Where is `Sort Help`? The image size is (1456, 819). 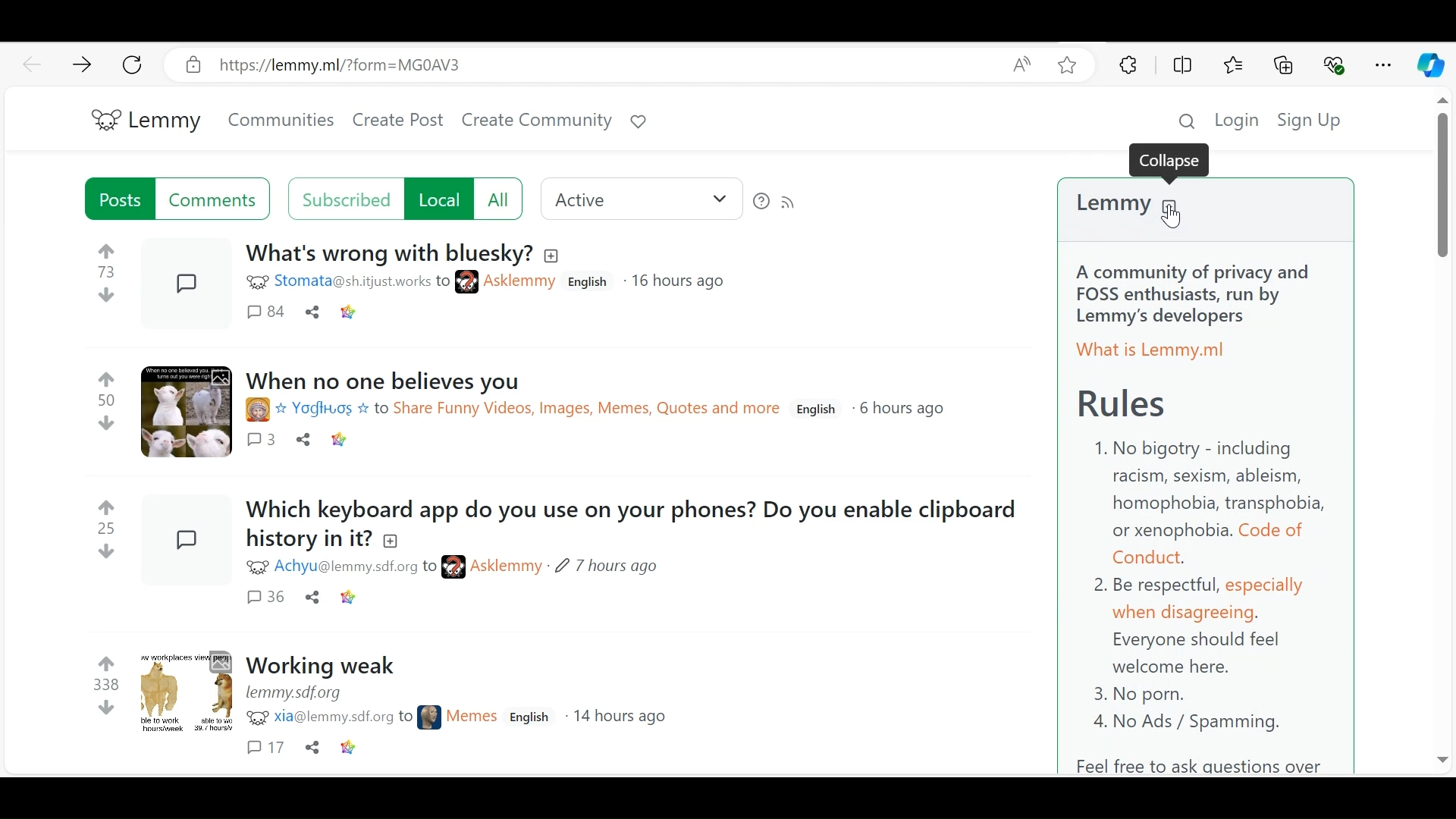 Sort Help is located at coordinates (761, 201).